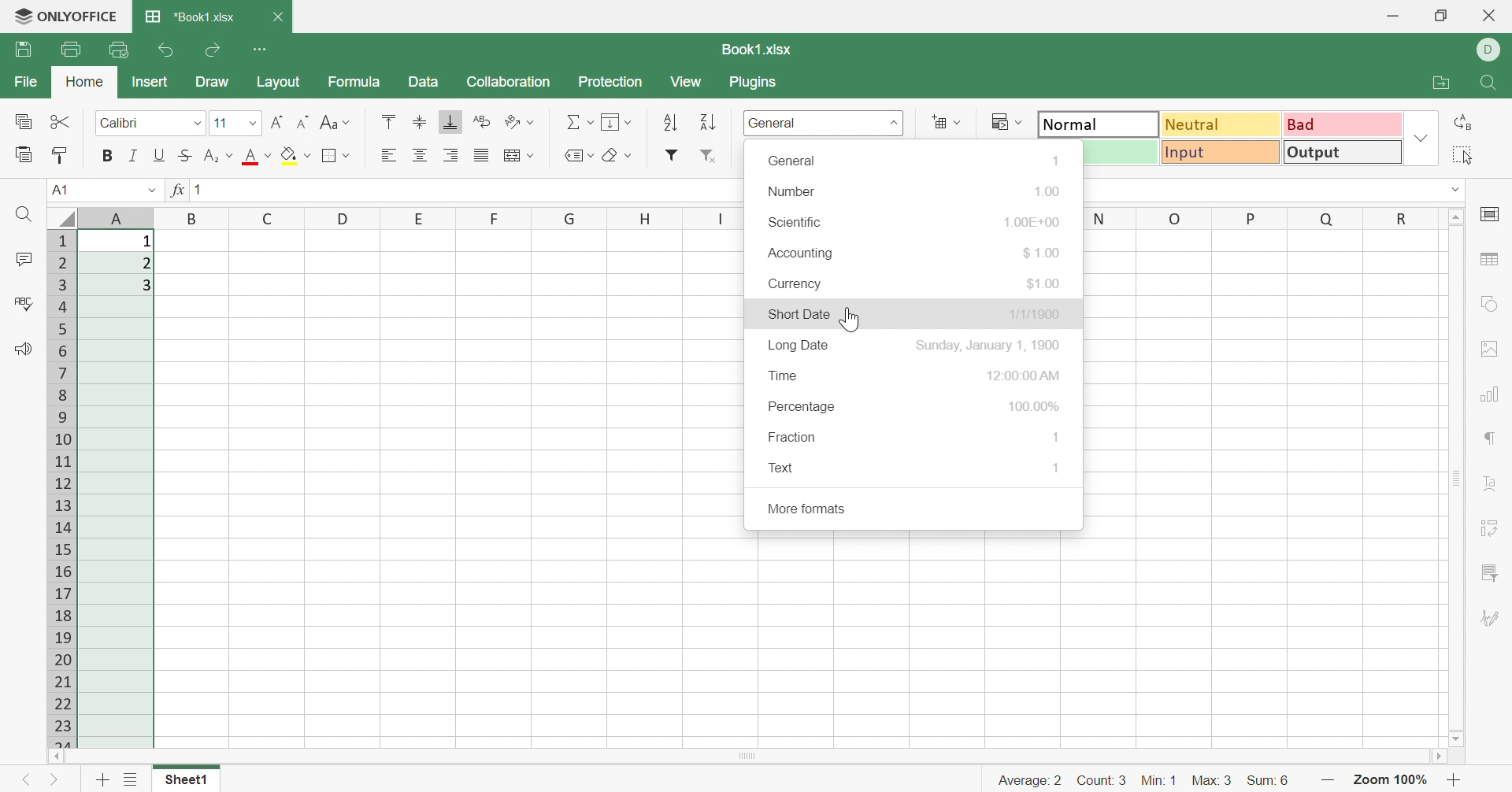  Describe the element at coordinates (610, 83) in the screenshot. I see `Protection` at that location.